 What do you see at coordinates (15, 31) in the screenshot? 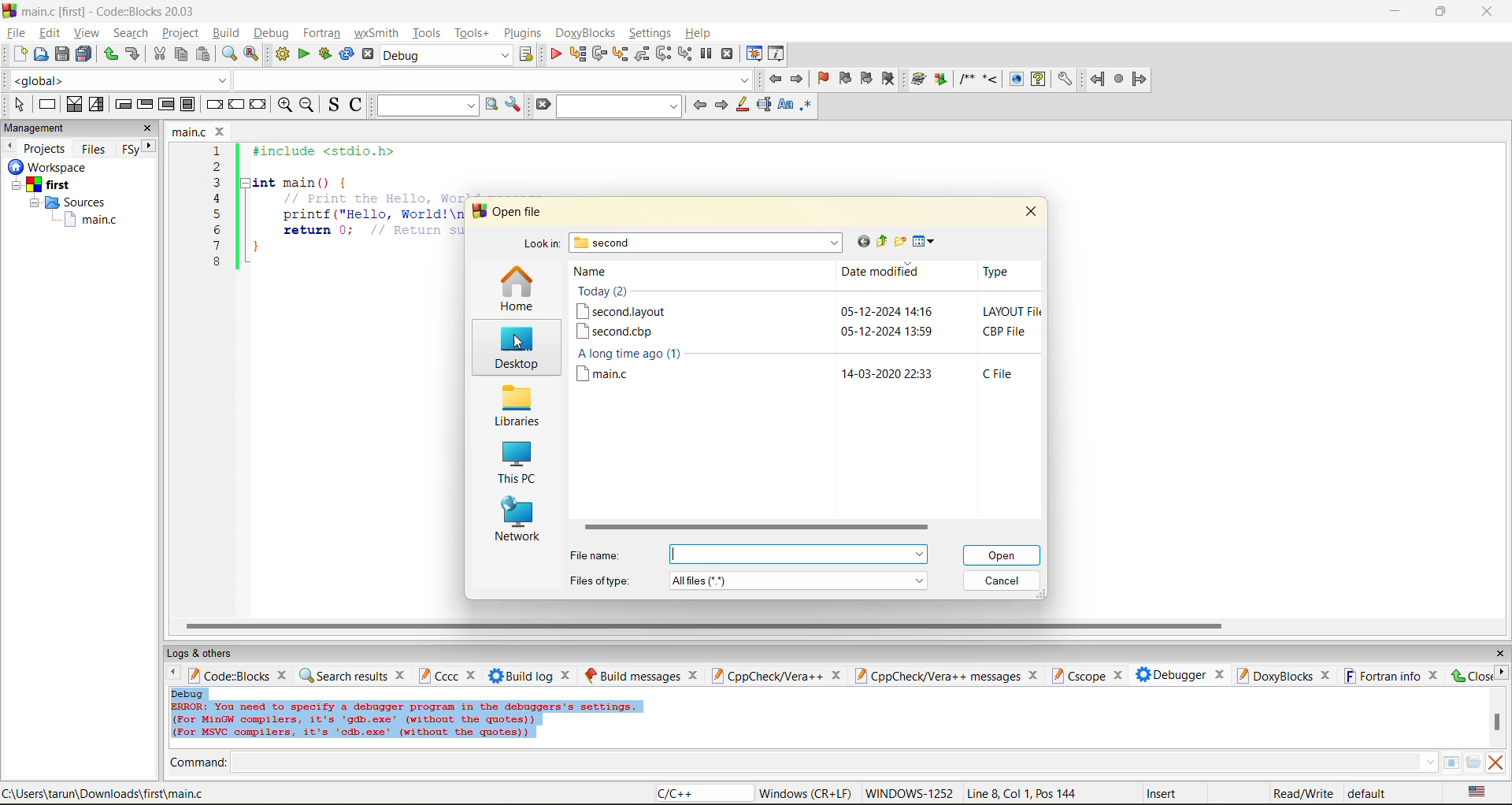
I see `file` at bounding box center [15, 31].